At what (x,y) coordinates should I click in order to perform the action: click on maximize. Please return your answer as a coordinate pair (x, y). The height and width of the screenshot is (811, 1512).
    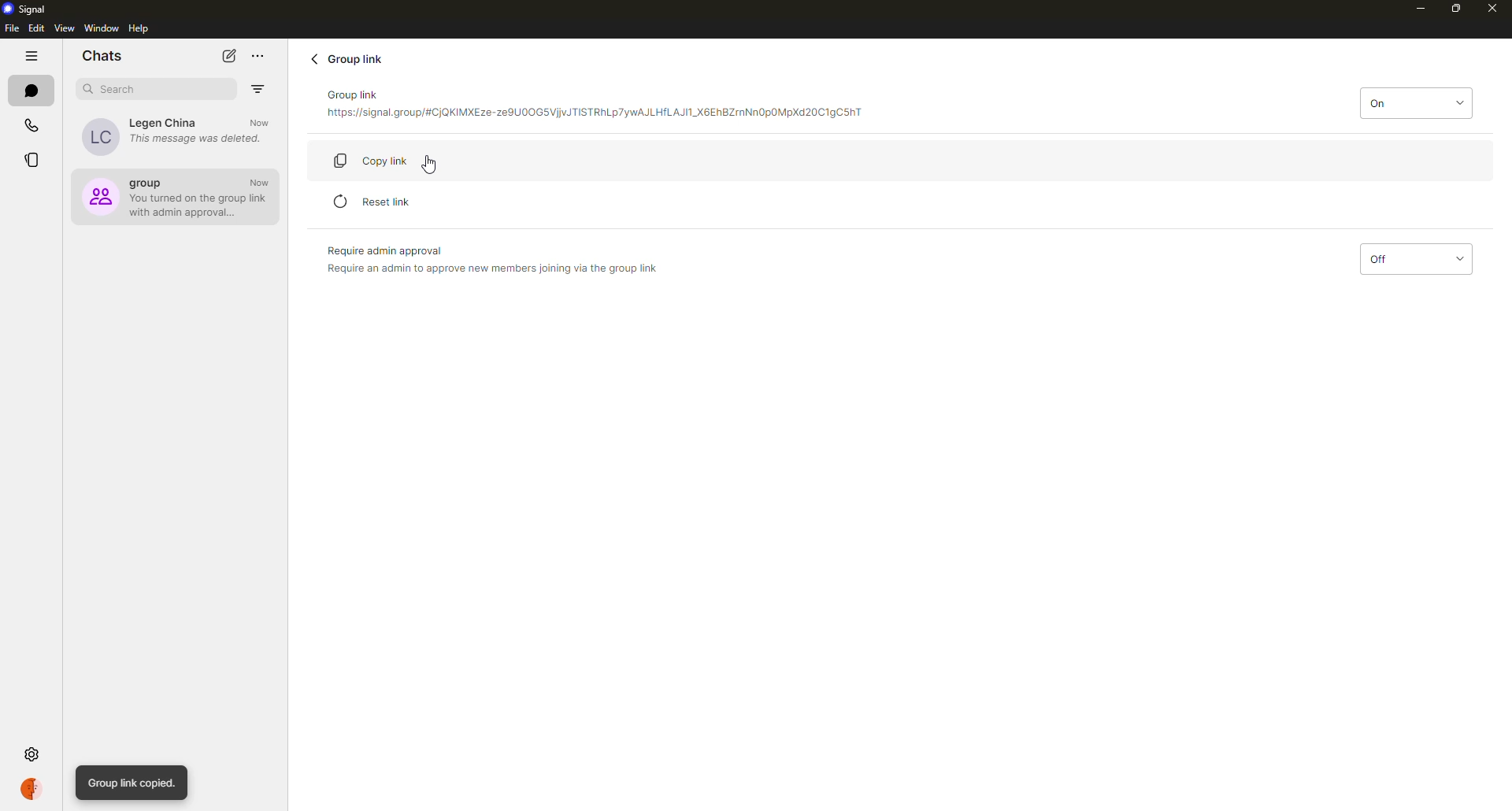
    Looking at the image, I should click on (1457, 9).